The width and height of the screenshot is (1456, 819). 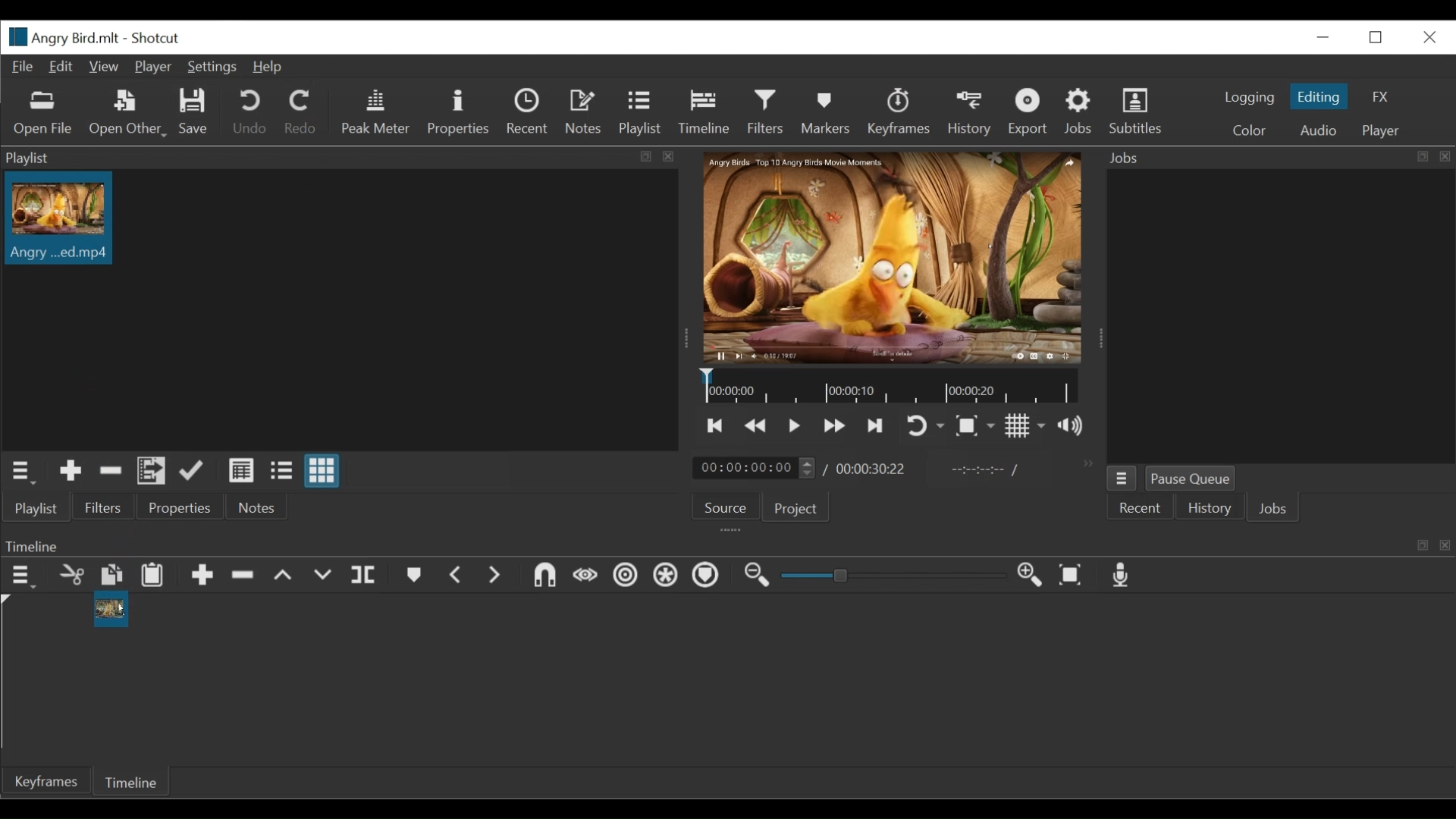 What do you see at coordinates (721, 508) in the screenshot?
I see `Source` at bounding box center [721, 508].